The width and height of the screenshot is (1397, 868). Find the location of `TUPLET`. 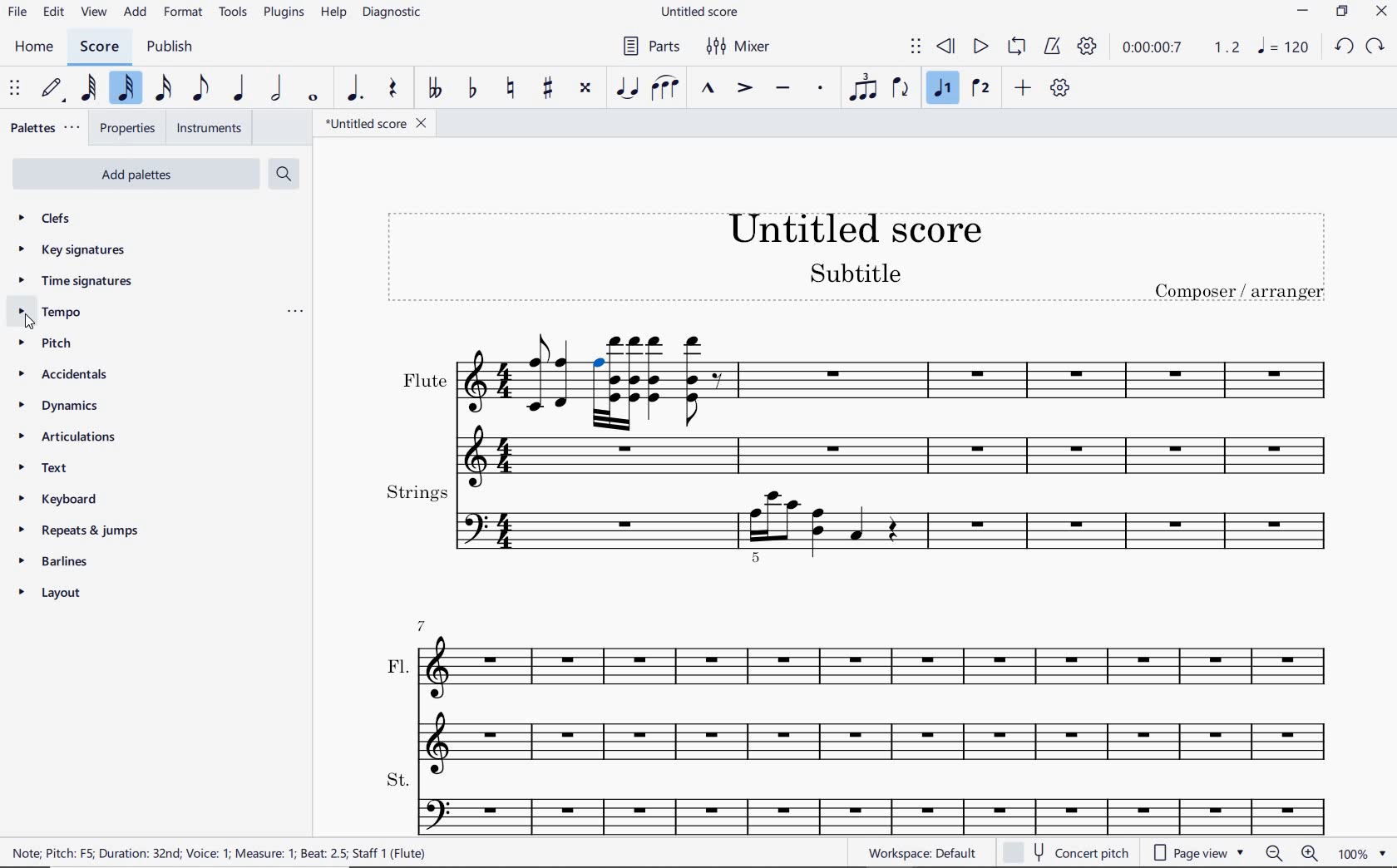

TUPLET is located at coordinates (865, 89).